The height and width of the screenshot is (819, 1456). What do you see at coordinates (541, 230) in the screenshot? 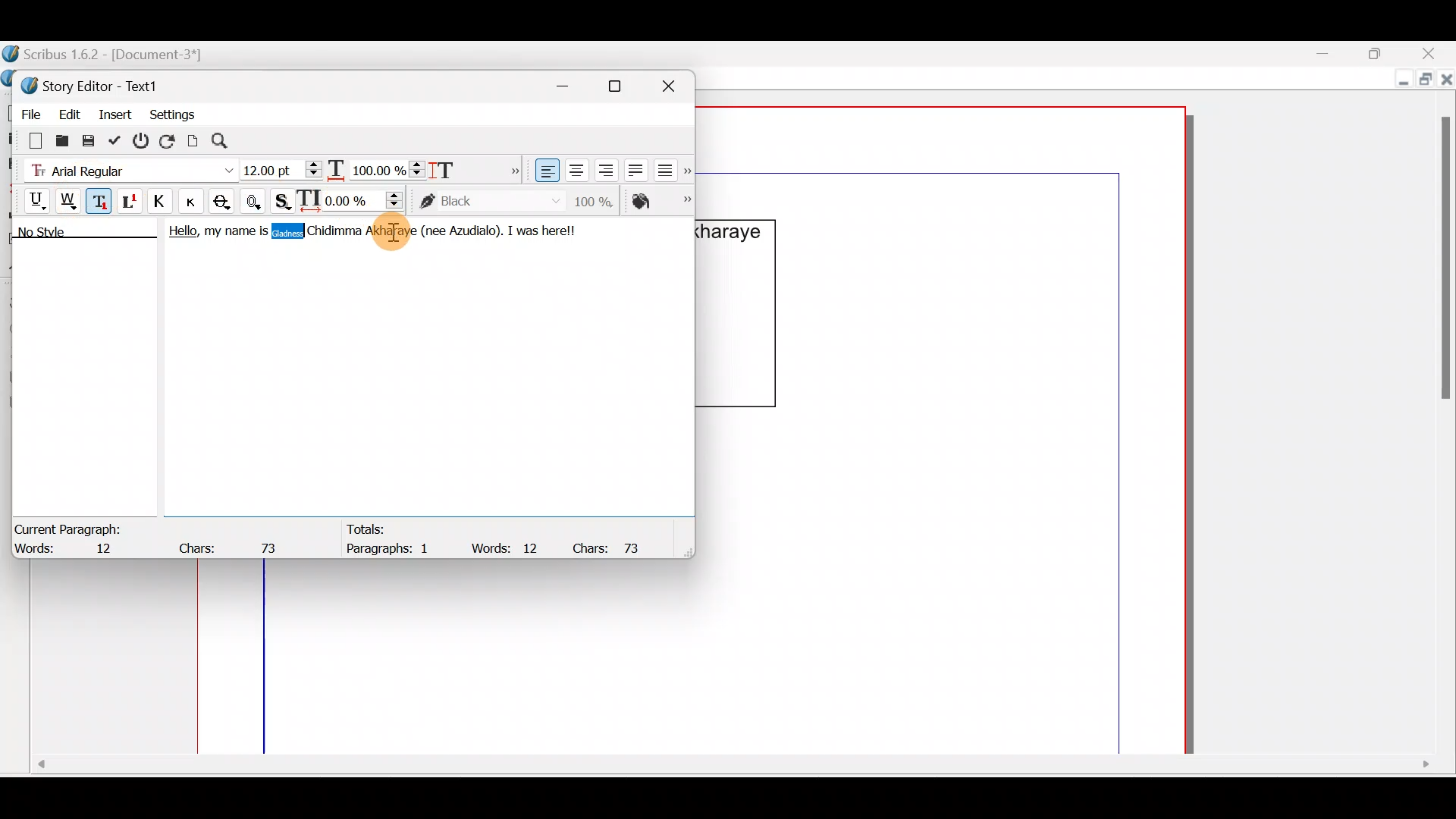
I see `I was herel!` at bounding box center [541, 230].